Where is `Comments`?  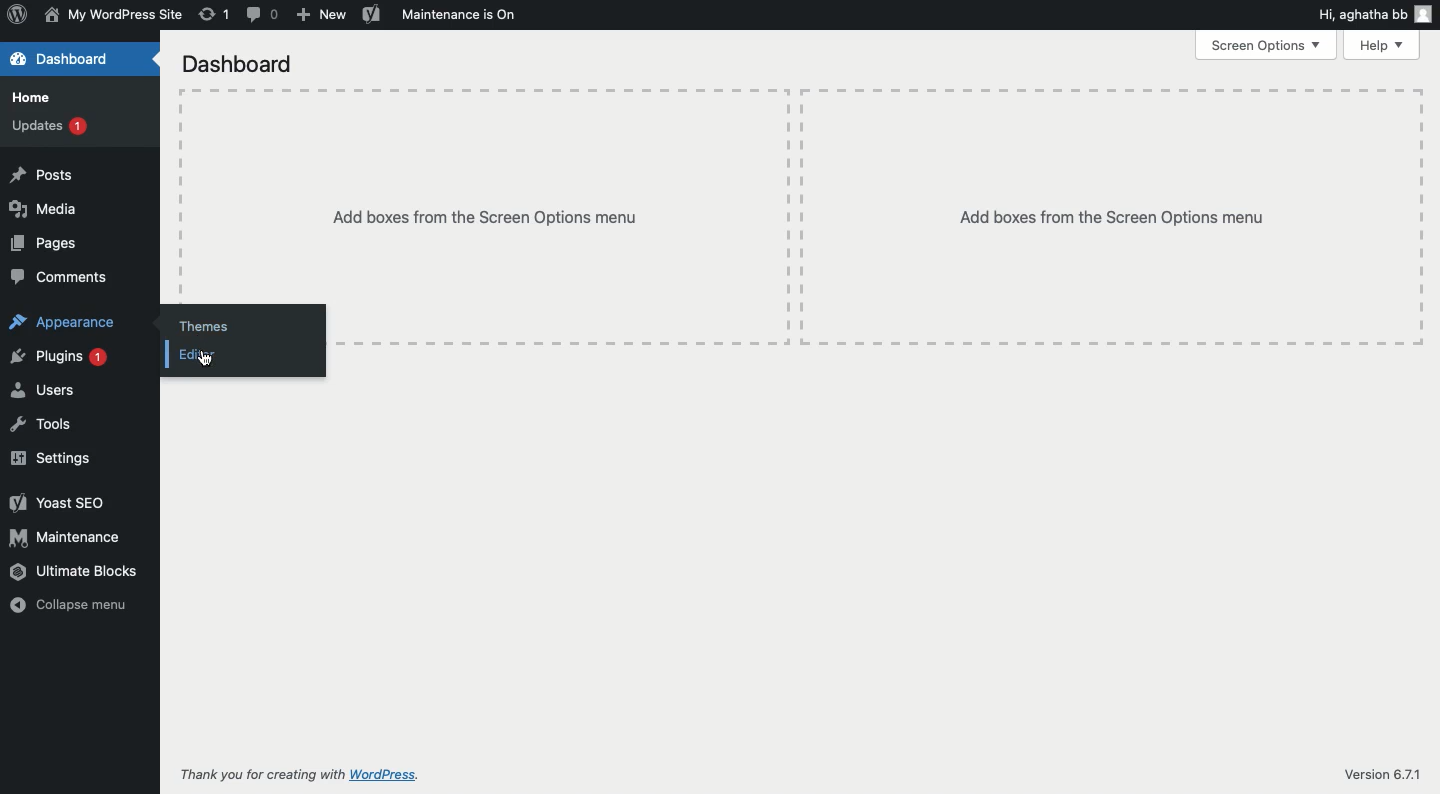 Comments is located at coordinates (59, 275).